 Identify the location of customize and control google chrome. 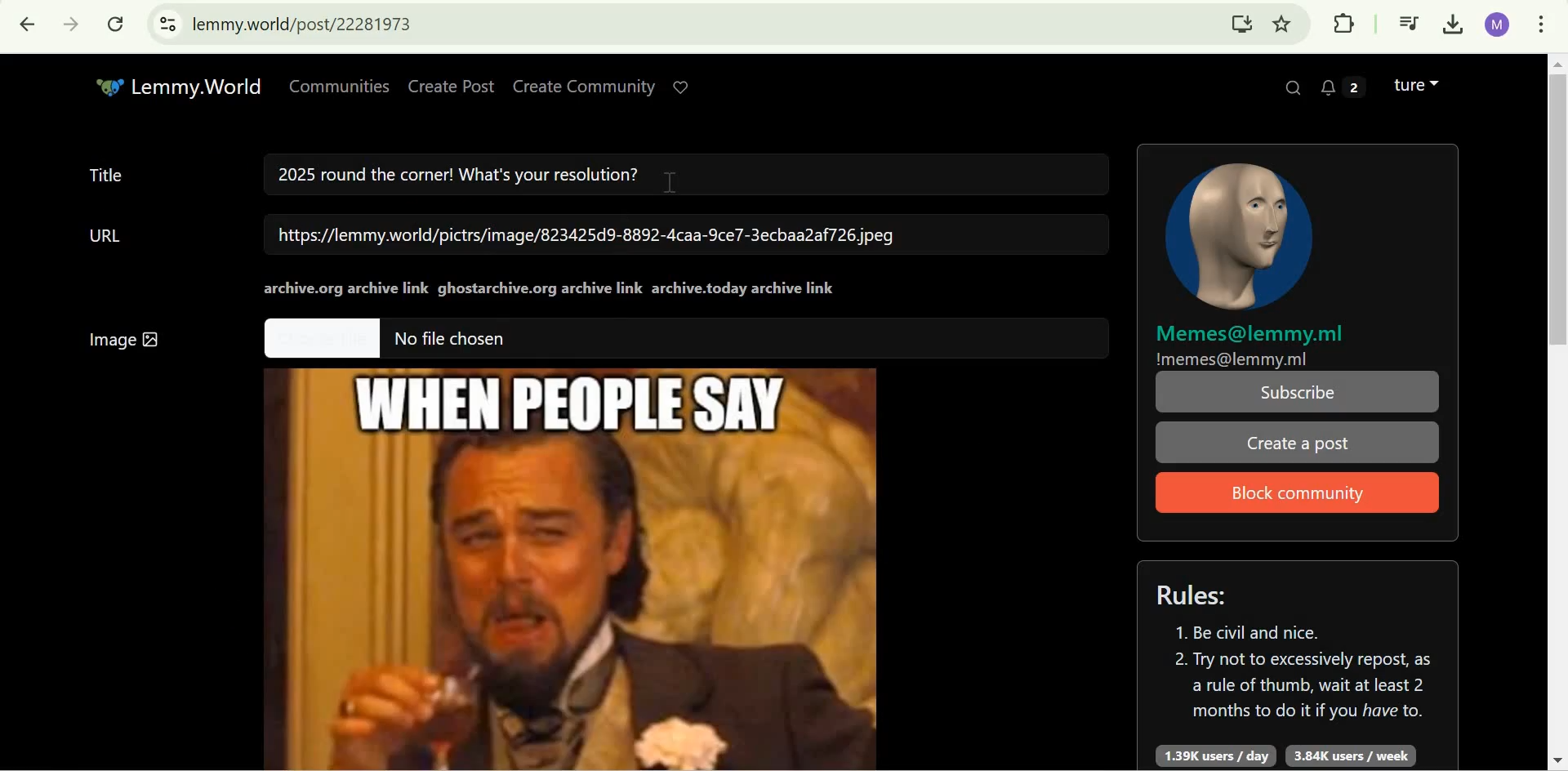
(1541, 27).